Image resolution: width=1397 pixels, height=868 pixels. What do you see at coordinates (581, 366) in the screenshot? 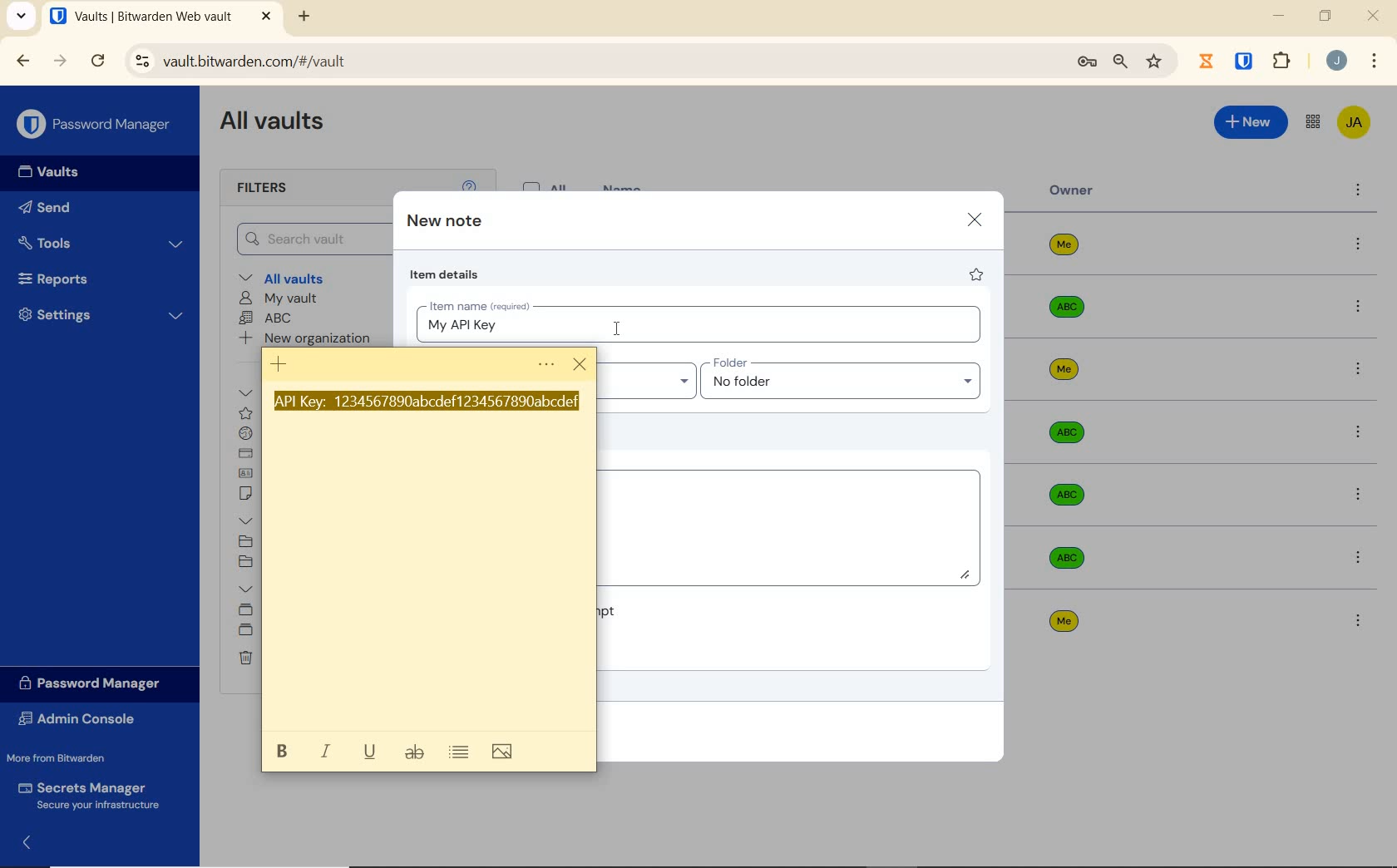
I see `cursor` at bounding box center [581, 366].